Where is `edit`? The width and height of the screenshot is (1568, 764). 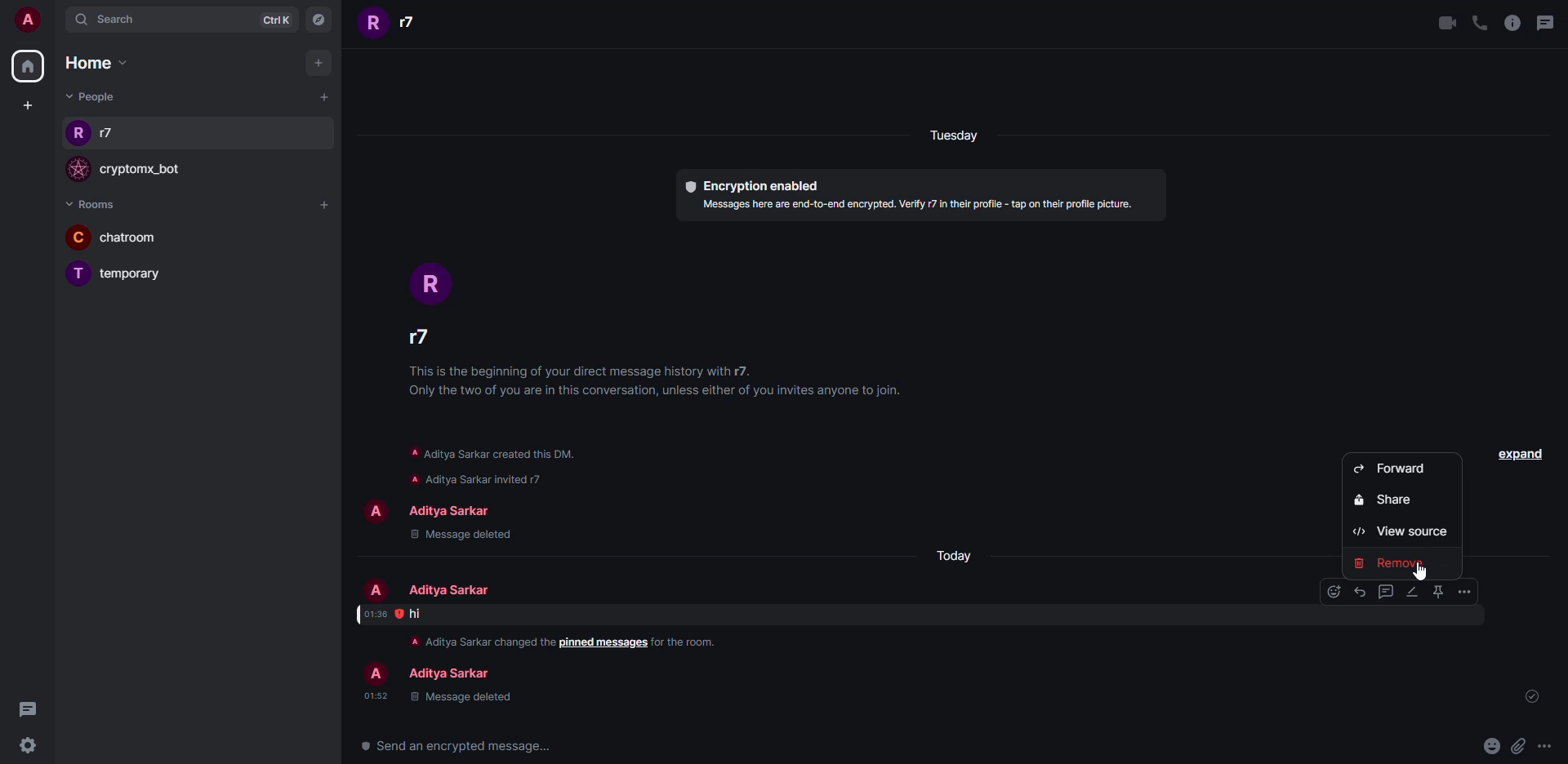
edit is located at coordinates (1411, 592).